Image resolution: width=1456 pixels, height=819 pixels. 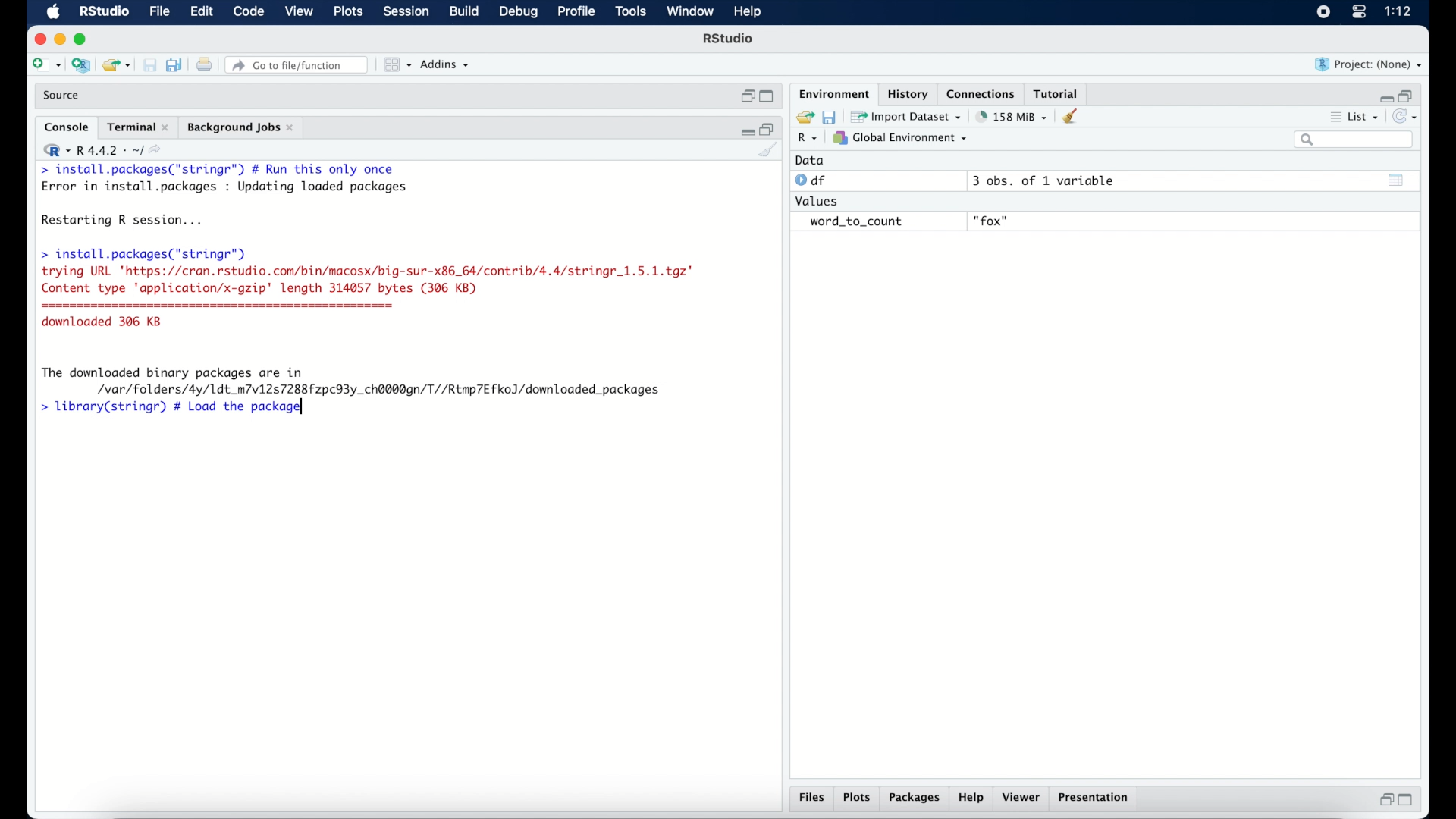 I want to click on screen recorder, so click(x=1323, y=13).